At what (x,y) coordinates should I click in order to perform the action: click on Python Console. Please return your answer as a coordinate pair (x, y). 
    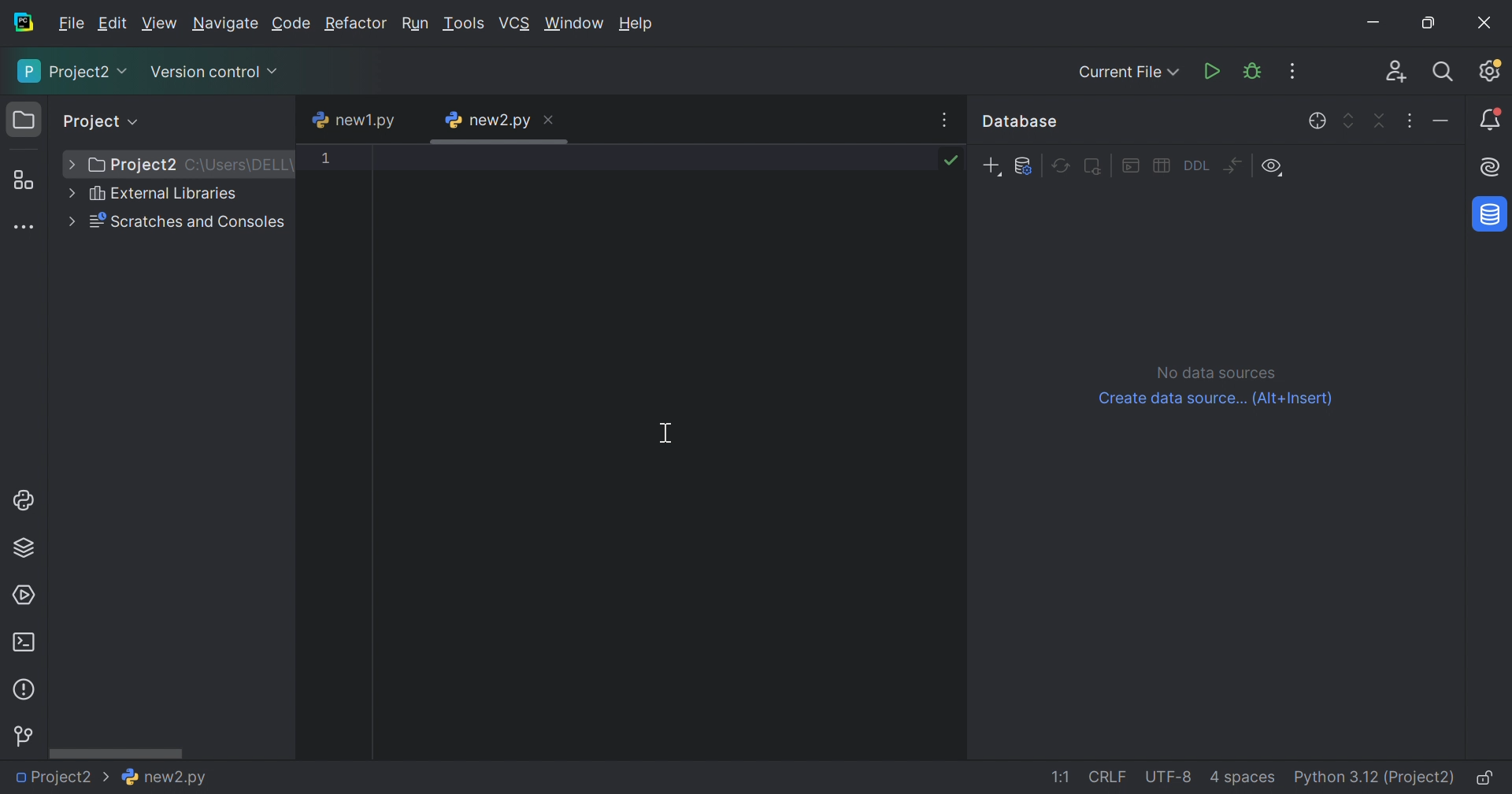
    Looking at the image, I should click on (28, 501).